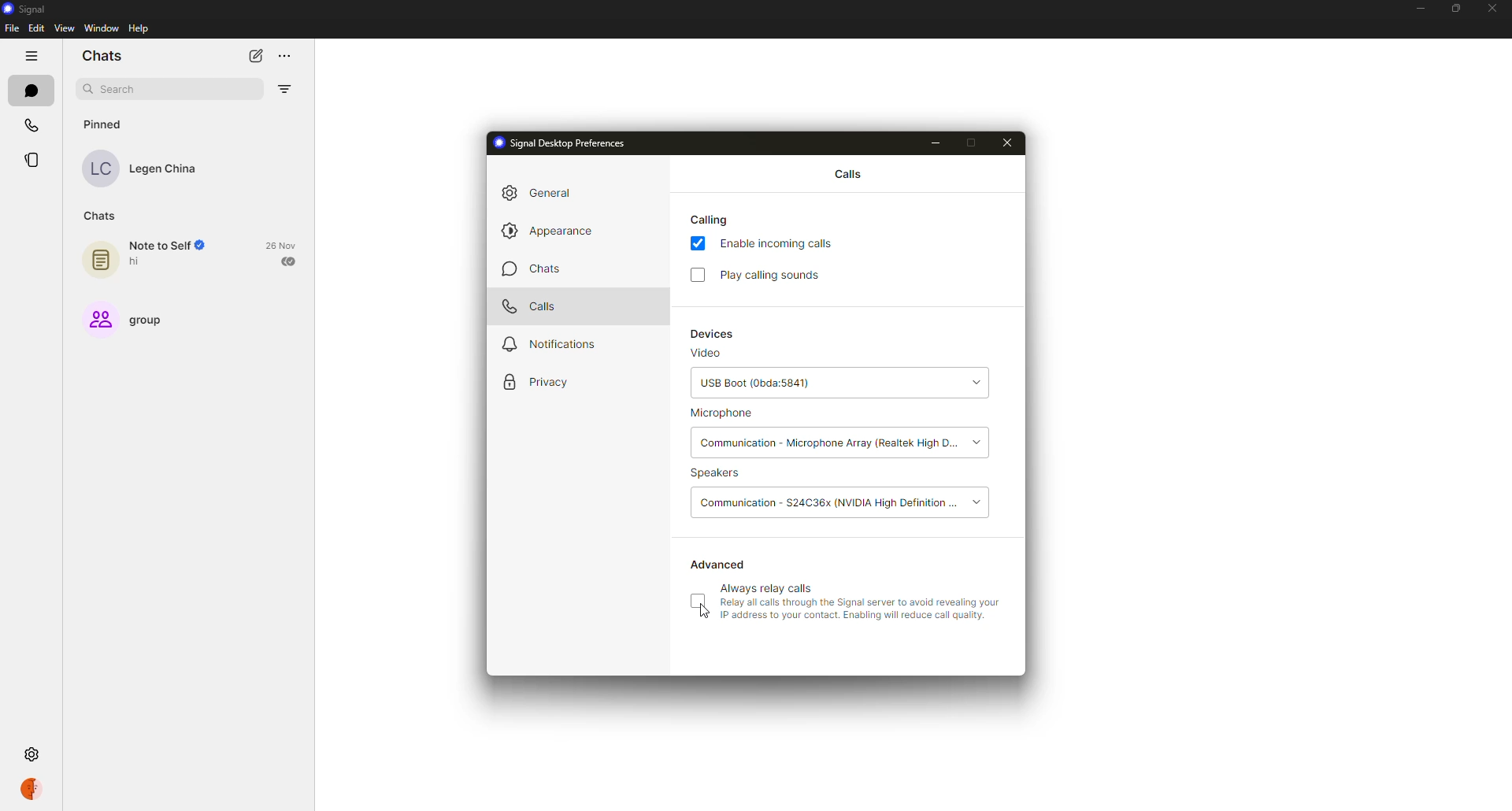 This screenshot has width=1512, height=811. What do you see at coordinates (167, 246) in the screenshot?
I see `note to self` at bounding box center [167, 246].